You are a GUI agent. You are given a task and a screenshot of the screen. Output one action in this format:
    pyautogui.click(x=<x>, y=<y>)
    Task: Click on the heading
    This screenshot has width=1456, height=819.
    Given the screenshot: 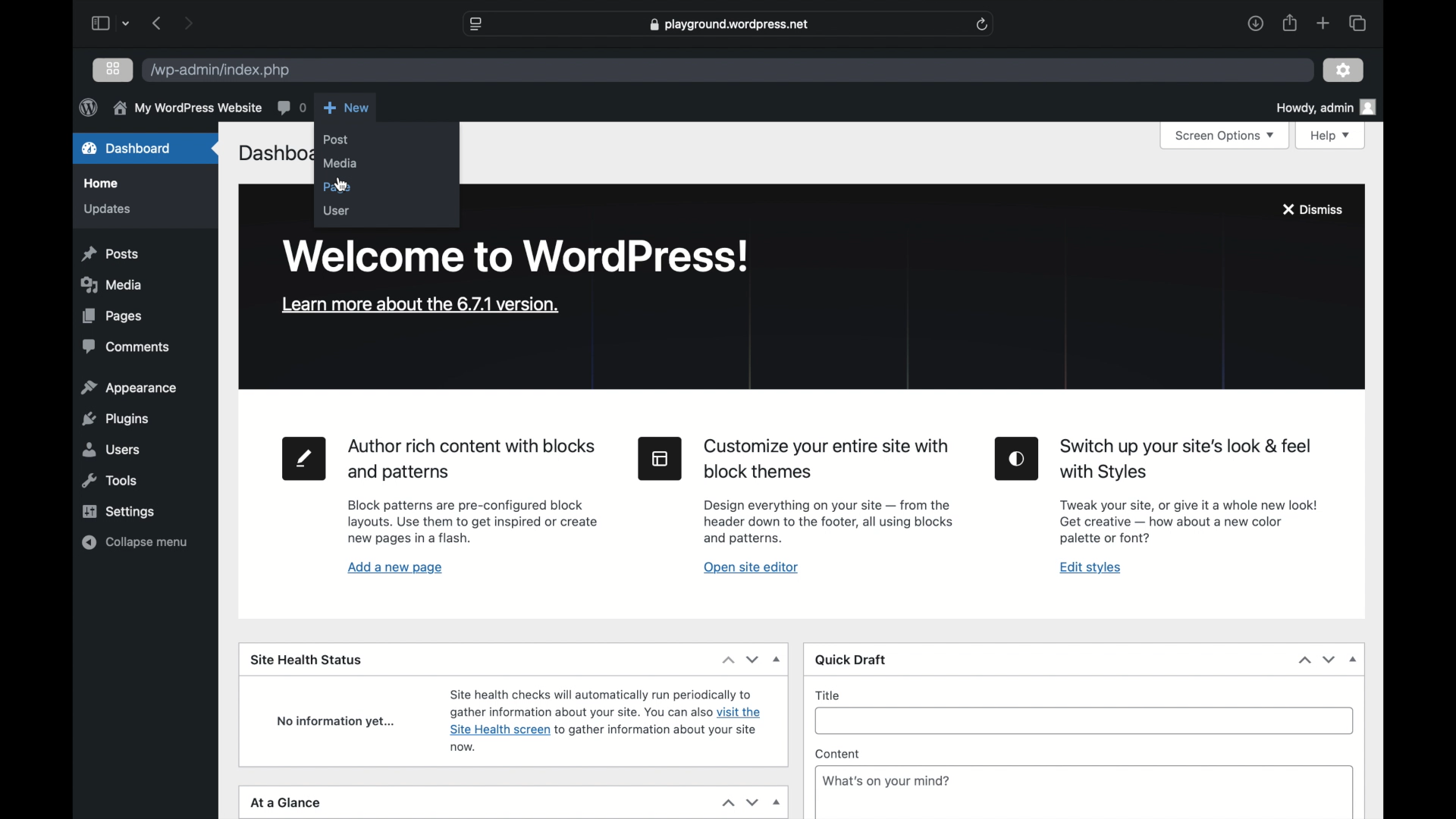 What is the action you would take?
    pyautogui.click(x=474, y=460)
    